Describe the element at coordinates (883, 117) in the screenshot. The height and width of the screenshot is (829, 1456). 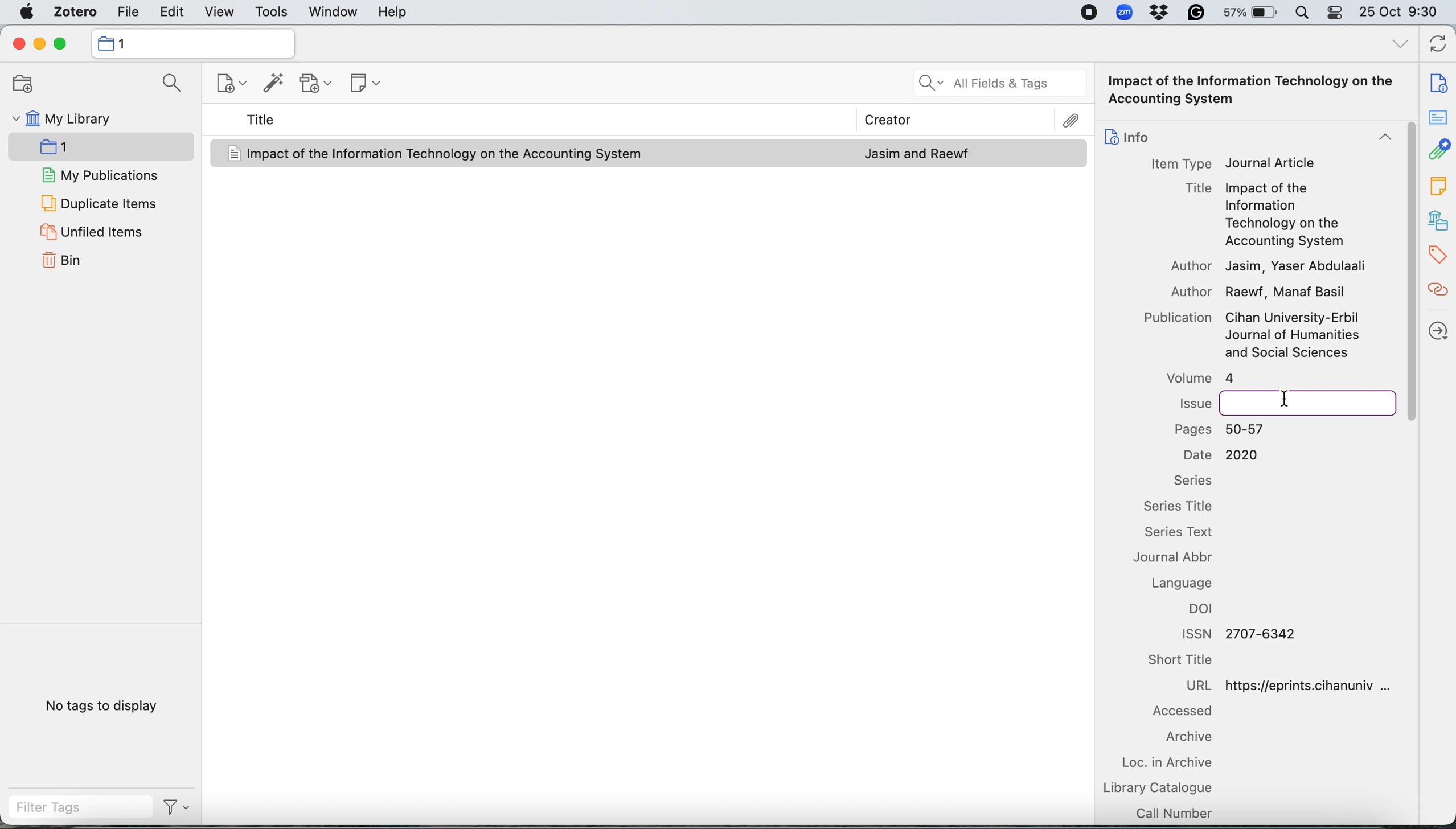
I see `Creator` at that location.